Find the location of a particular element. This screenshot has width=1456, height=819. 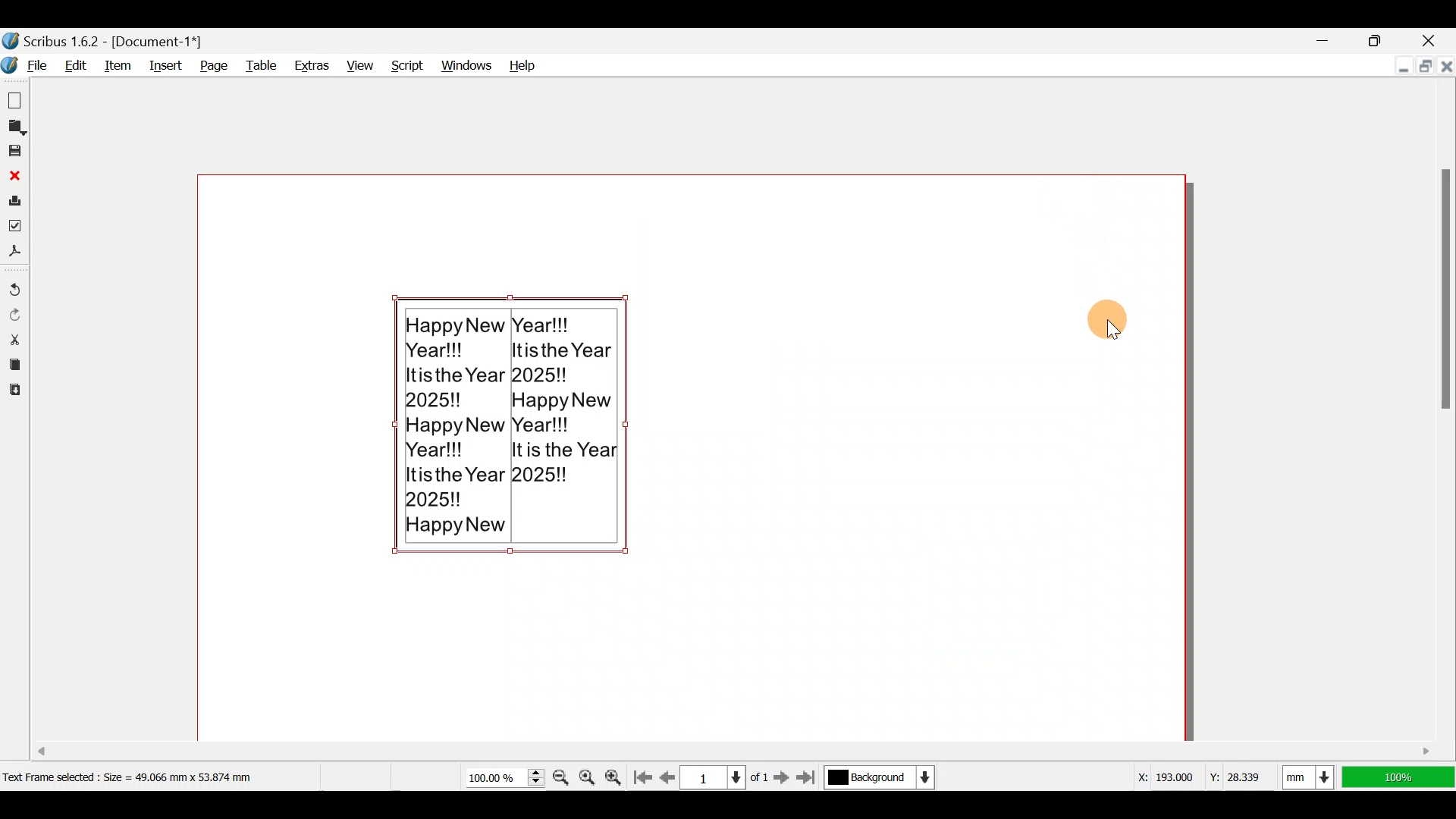

Save as PDF is located at coordinates (17, 254).